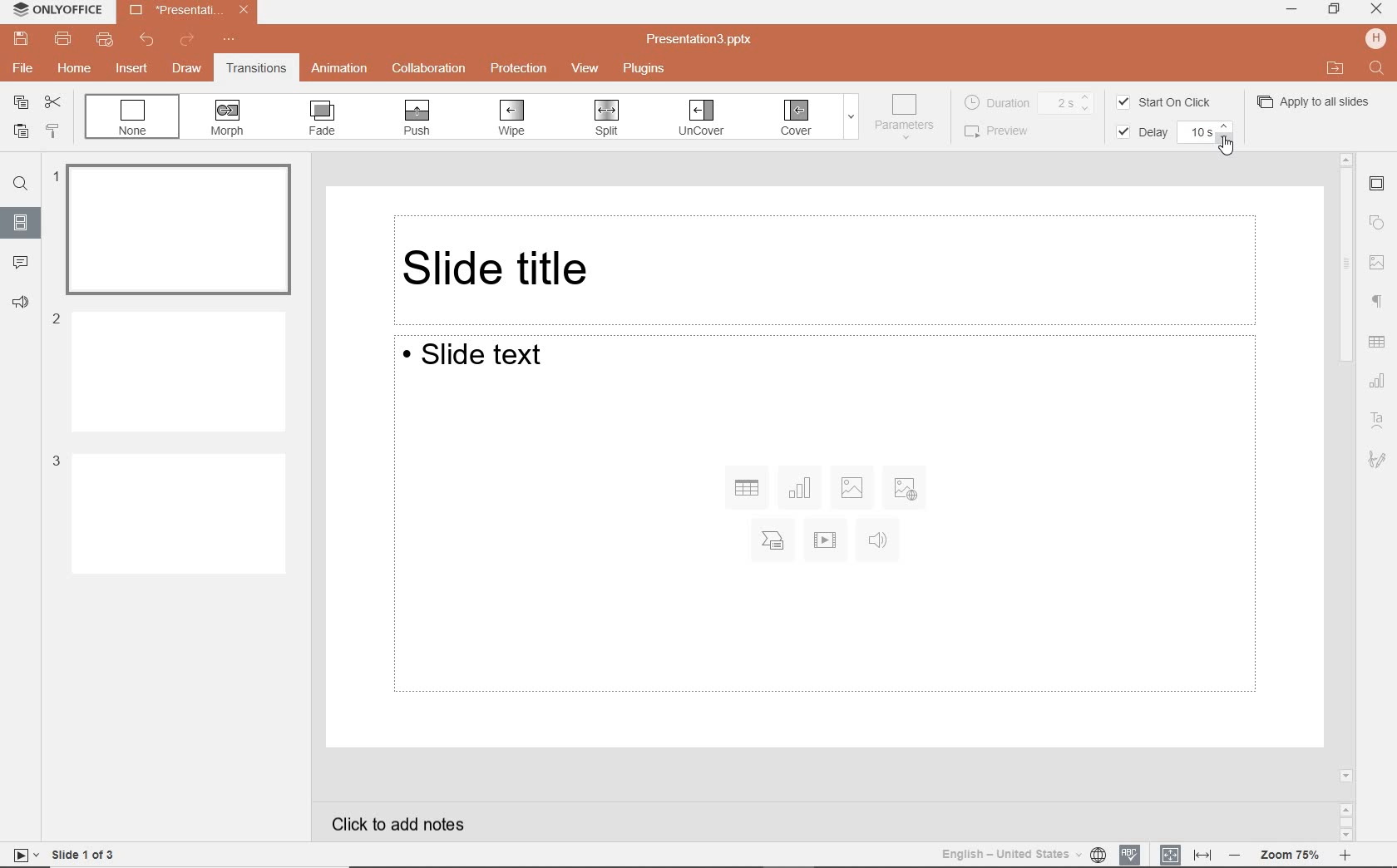 The width and height of the screenshot is (1397, 868). What do you see at coordinates (132, 116) in the screenshot?
I see `NONE` at bounding box center [132, 116].